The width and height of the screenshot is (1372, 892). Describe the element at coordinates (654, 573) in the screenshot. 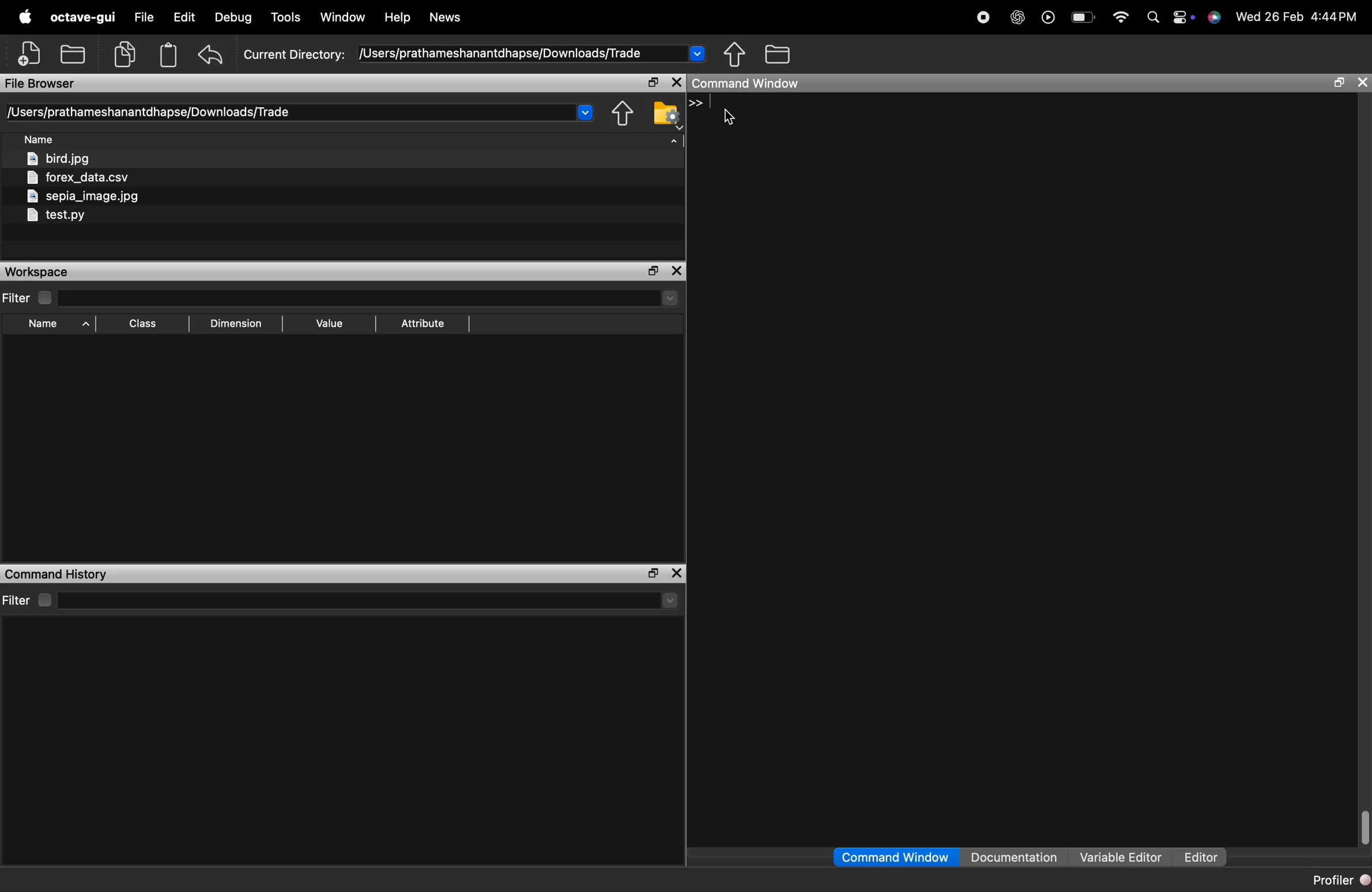

I see `open in separate window` at that location.